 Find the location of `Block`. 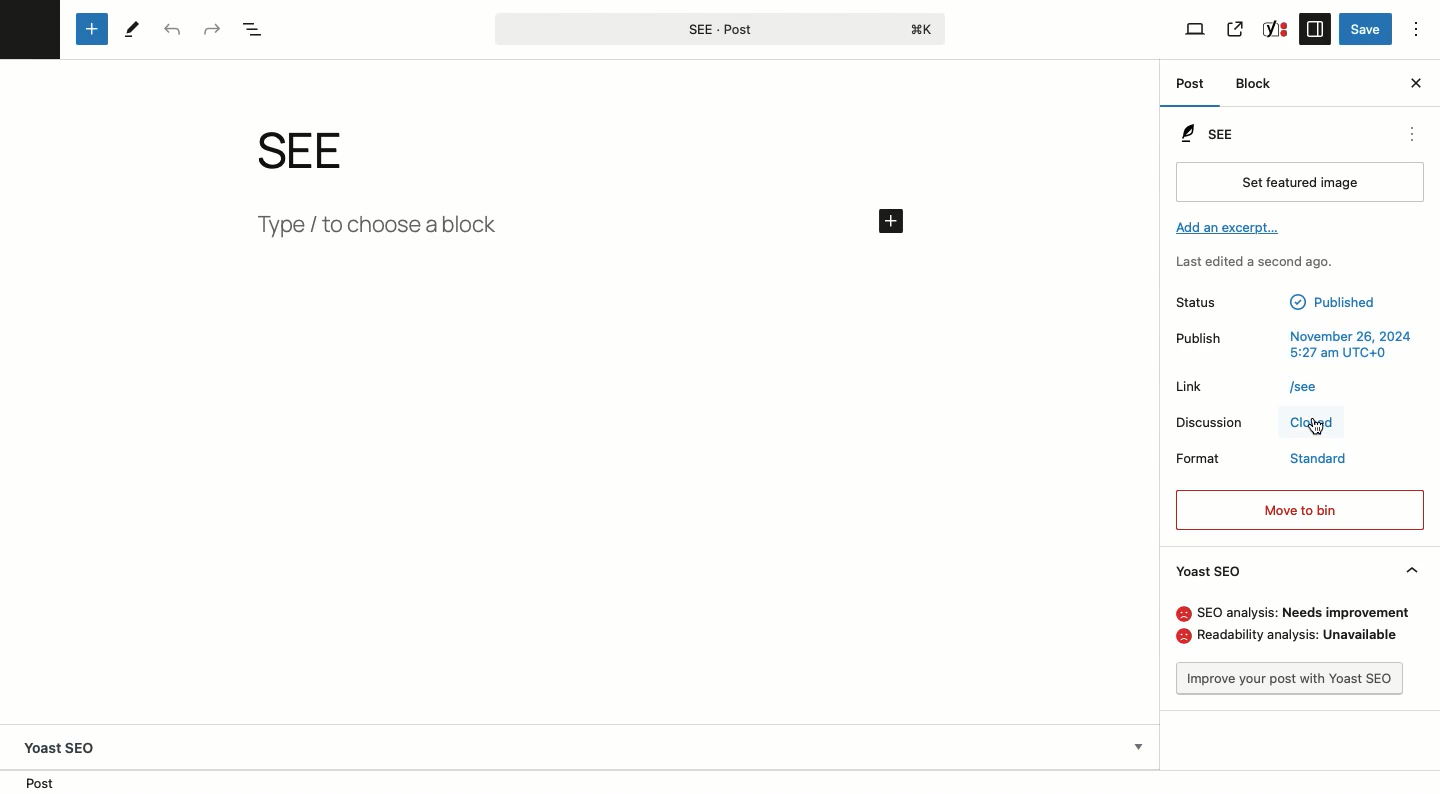

Block is located at coordinates (1257, 85).